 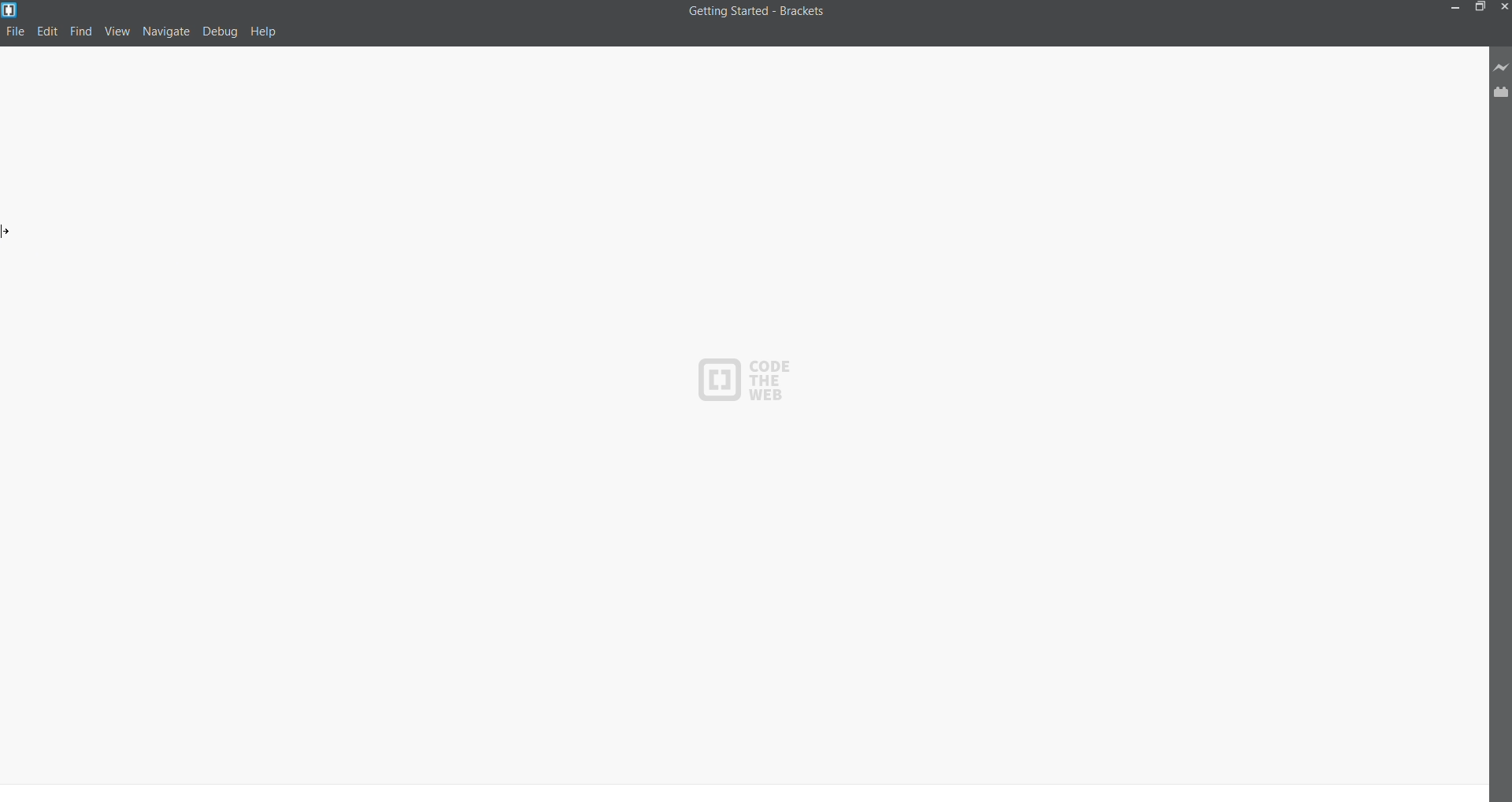 What do you see at coordinates (164, 33) in the screenshot?
I see `navigate` at bounding box center [164, 33].